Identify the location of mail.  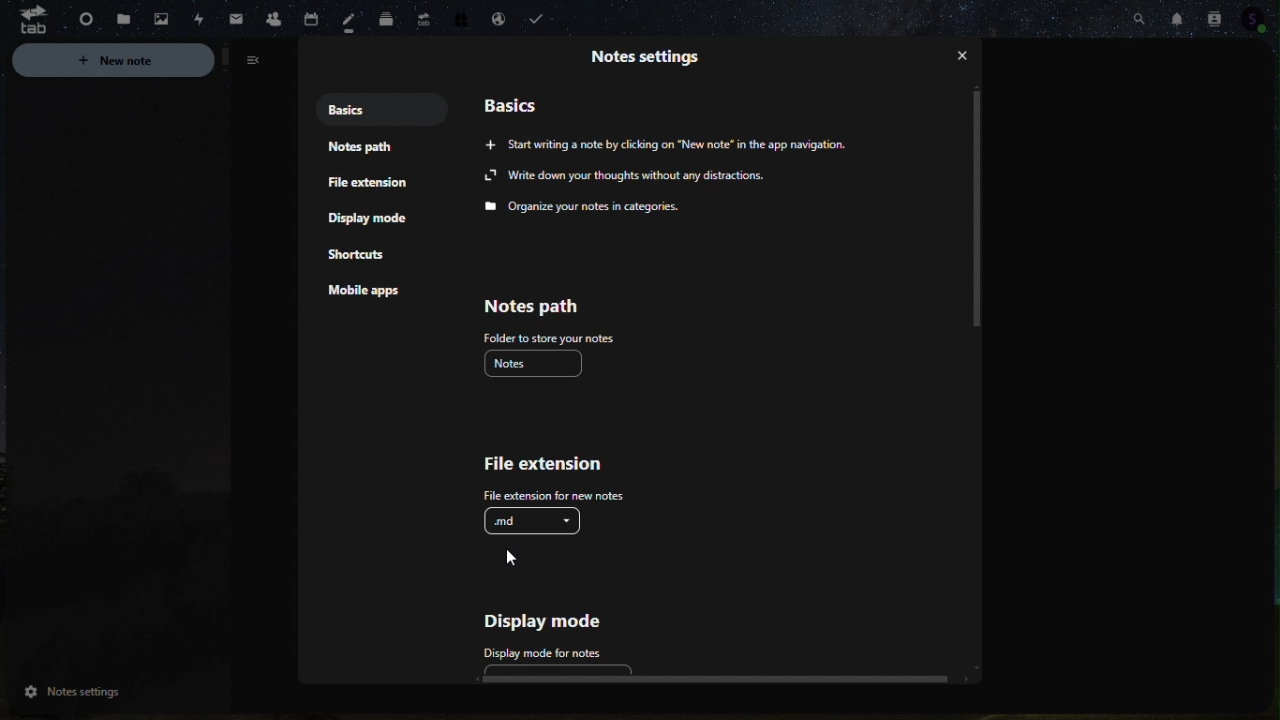
(229, 19).